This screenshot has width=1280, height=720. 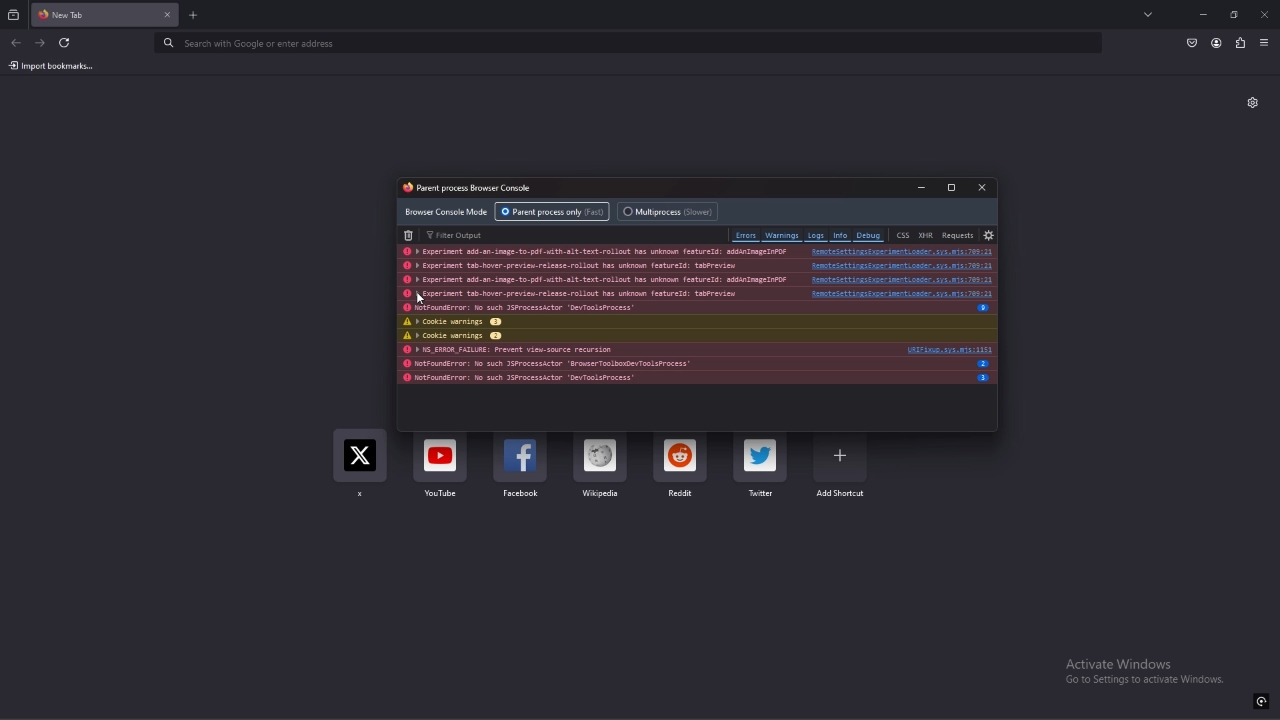 I want to click on source, so click(x=900, y=252).